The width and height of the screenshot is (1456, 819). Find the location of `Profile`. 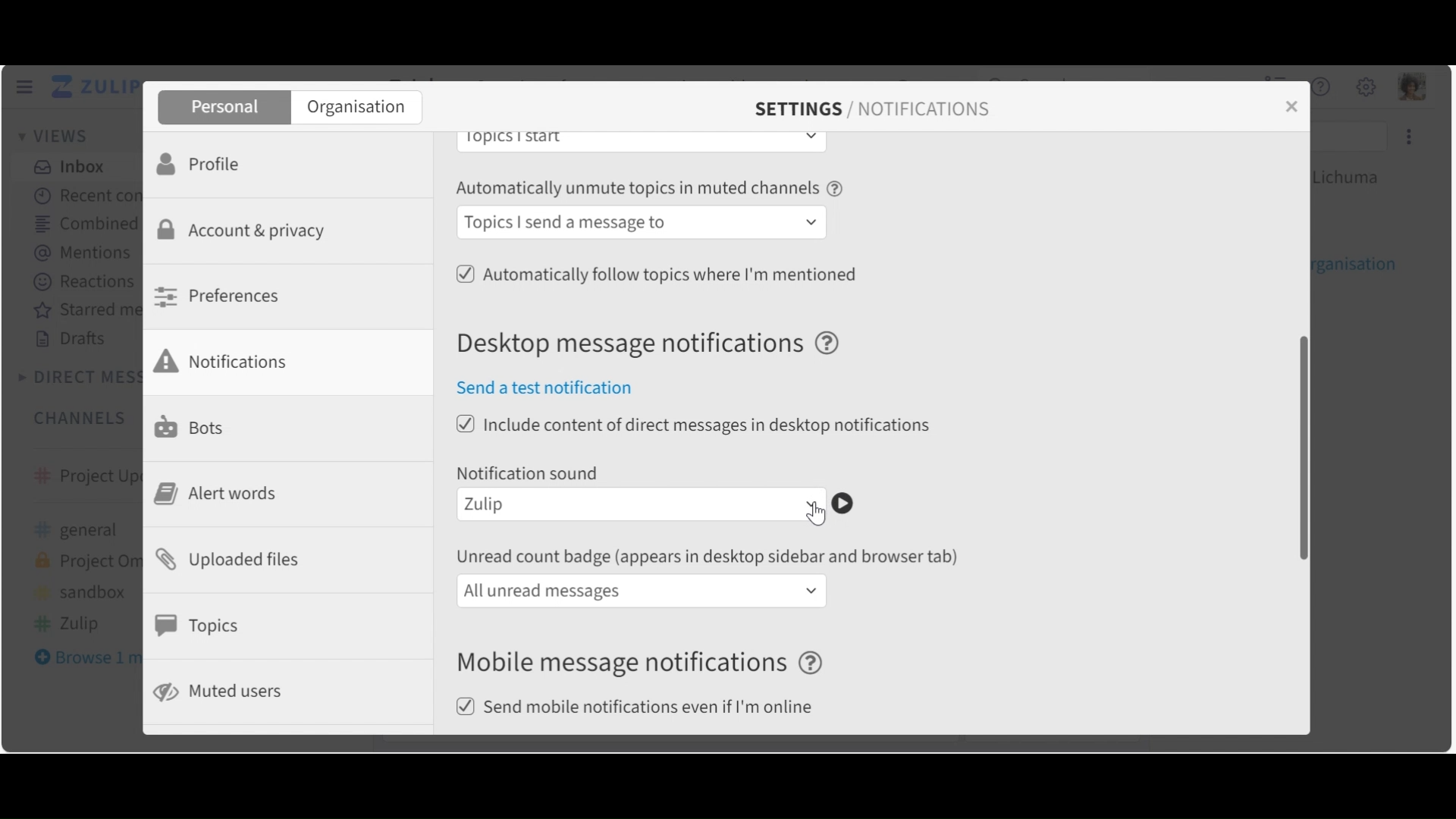

Profile is located at coordinates (204, 162).